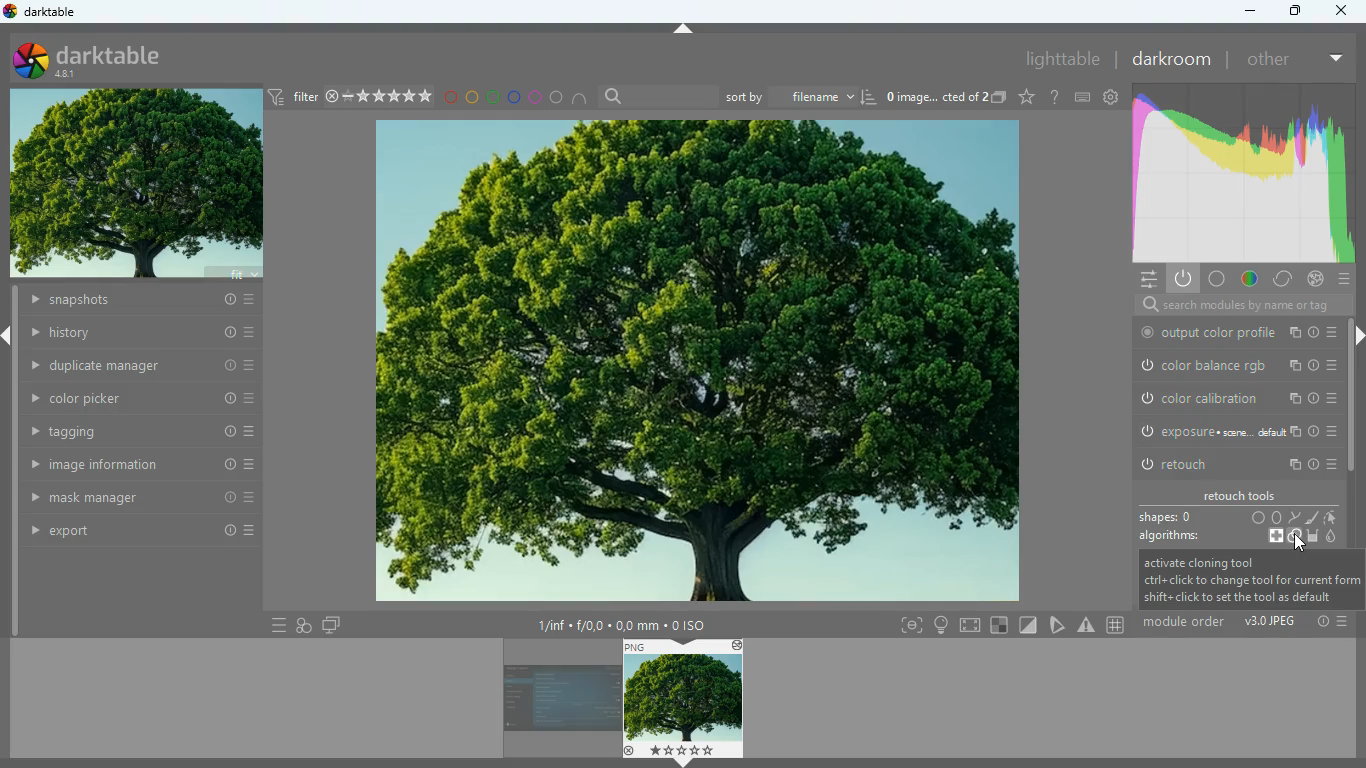  What do you see at coordinates (1236, 465) in the screenshot?
I see `retouch` at bounding box center [1236, 465].